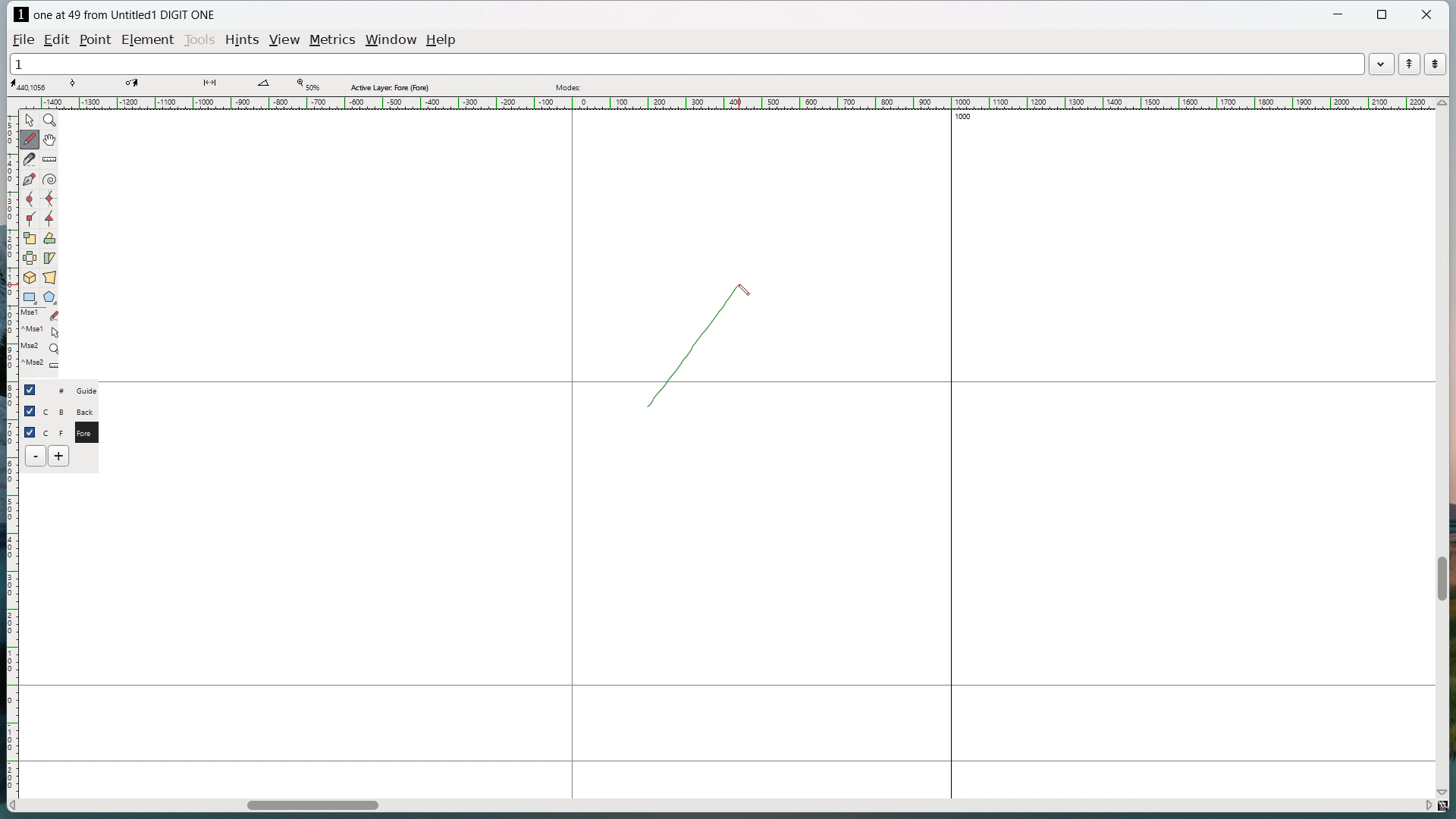 The height and width of the screenshot is (819, 1456). Describe the element at coordinates (286, 40) in the screenshot. I see `view` at that location.